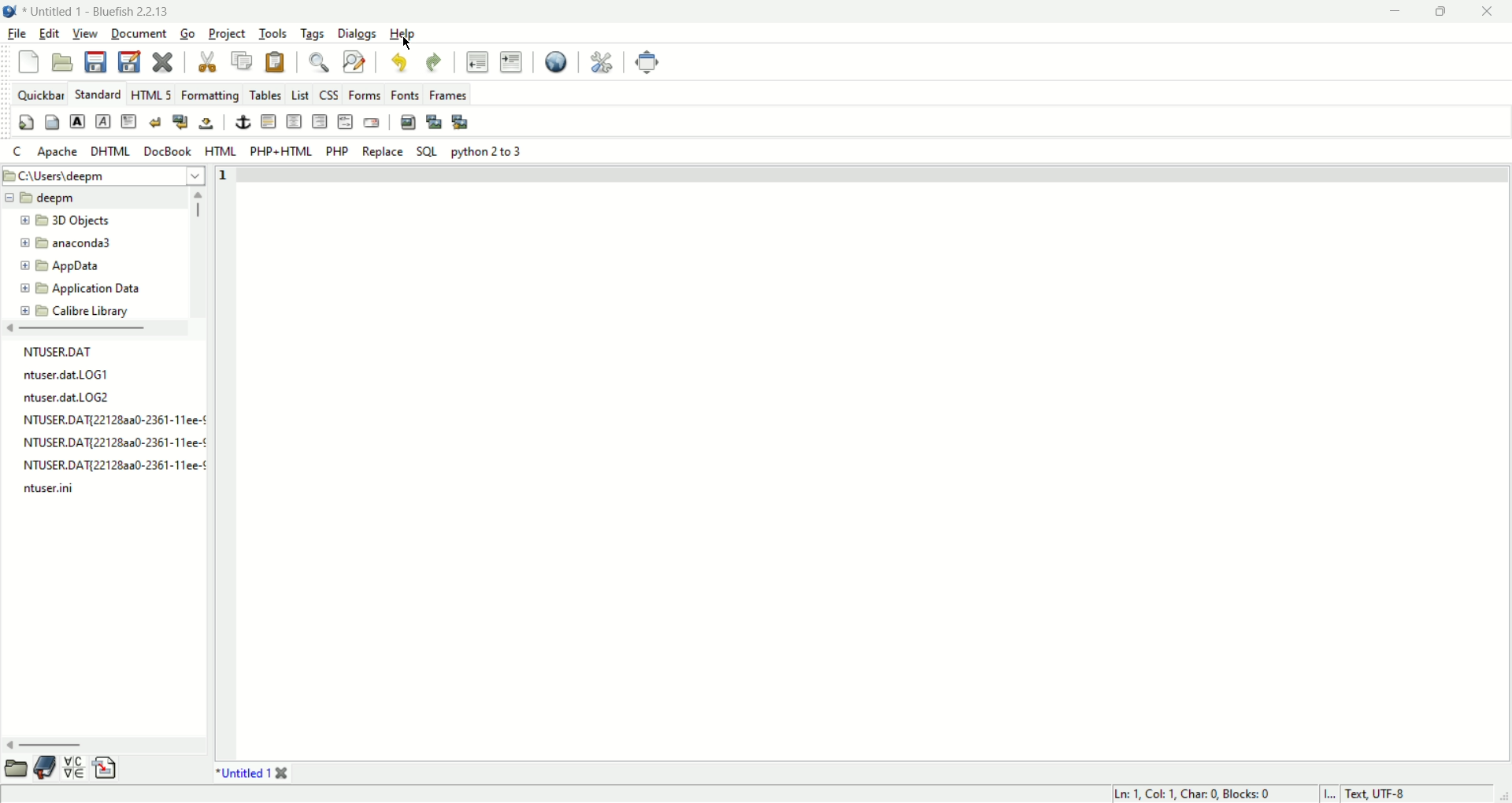 This screenshot has width=1512, height=803. I want to click on DocBook, so click(166, 152).